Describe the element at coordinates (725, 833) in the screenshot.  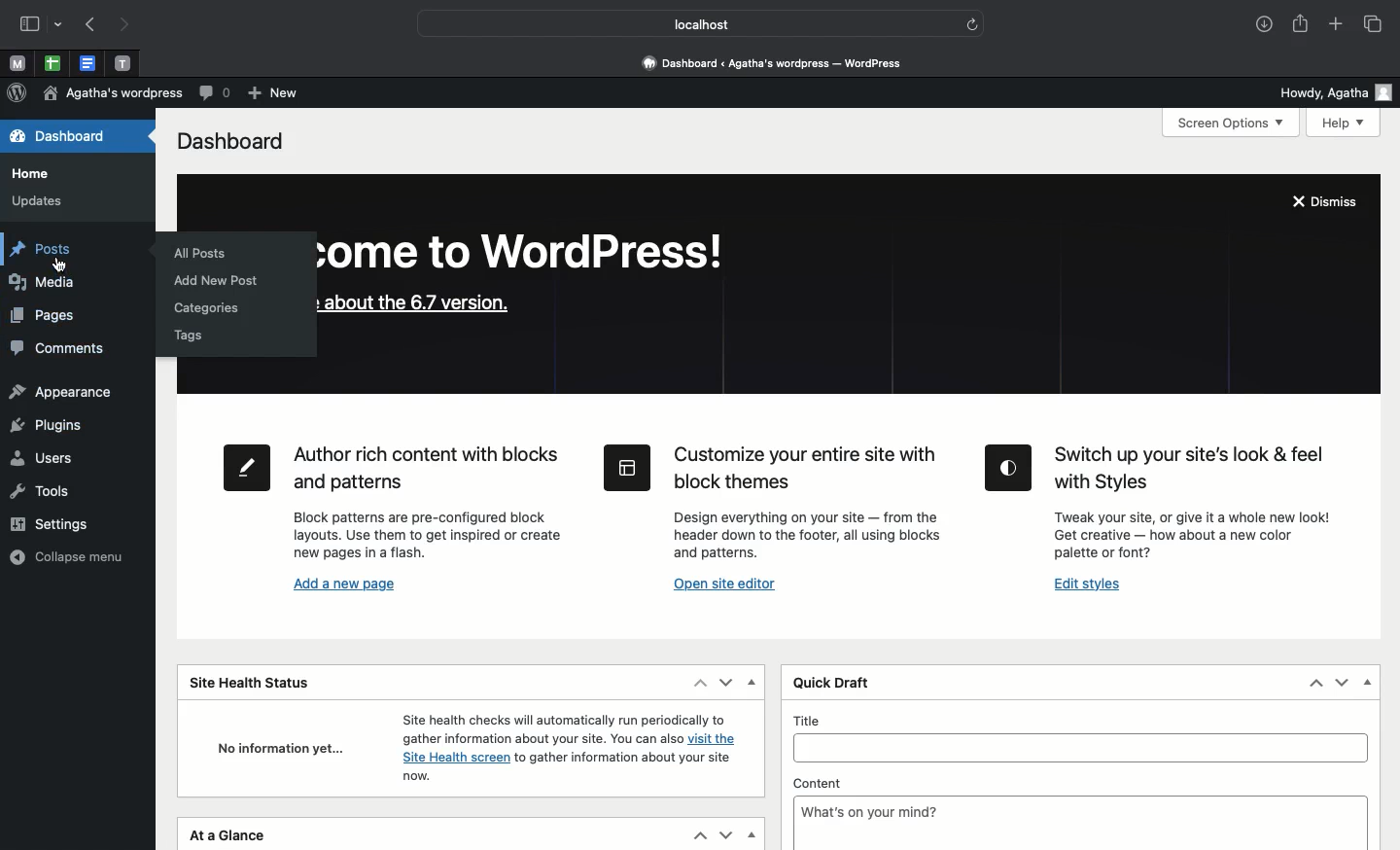
I see `Down` at that location.